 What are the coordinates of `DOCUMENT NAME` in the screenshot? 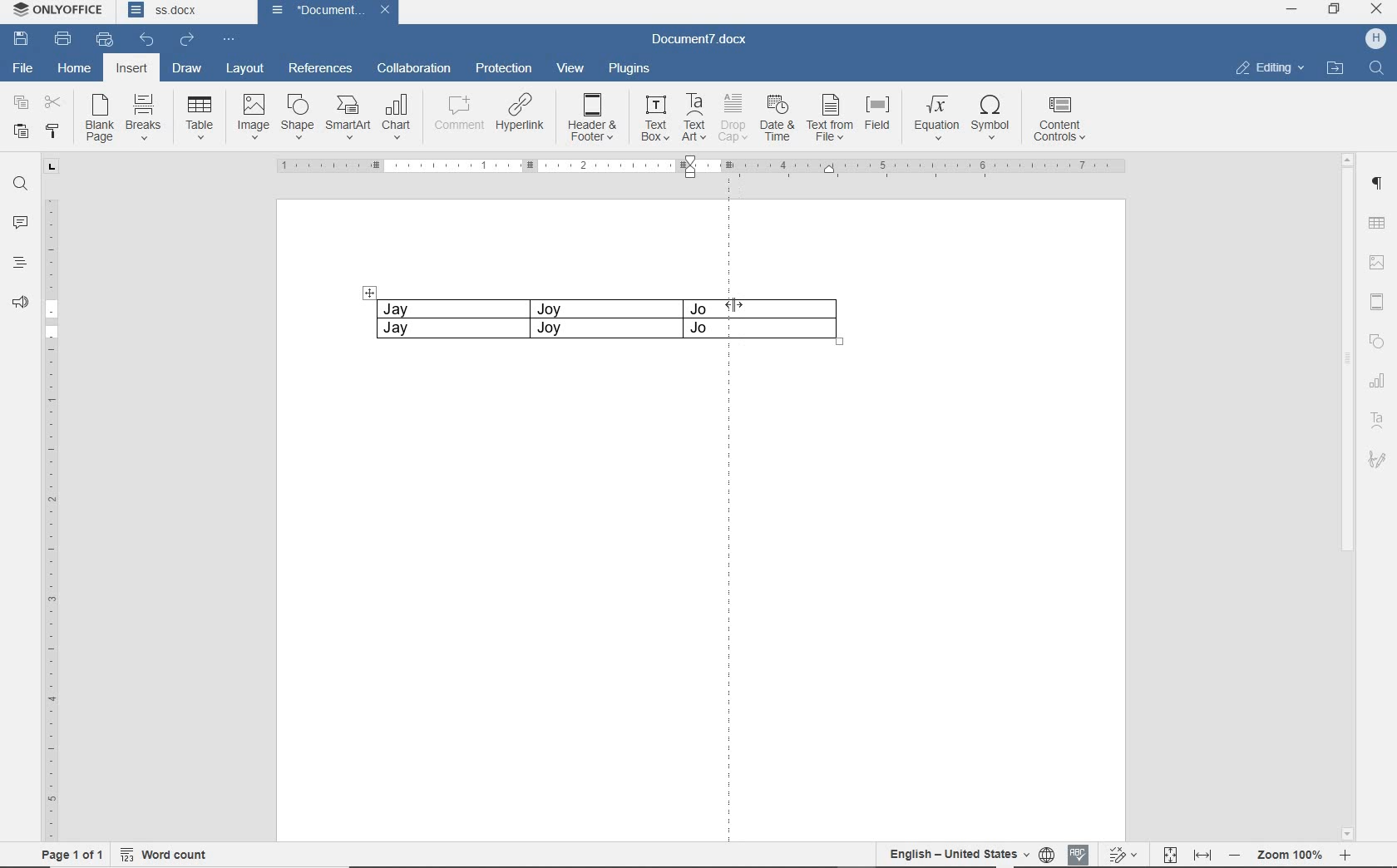 It's located at (182, 12).